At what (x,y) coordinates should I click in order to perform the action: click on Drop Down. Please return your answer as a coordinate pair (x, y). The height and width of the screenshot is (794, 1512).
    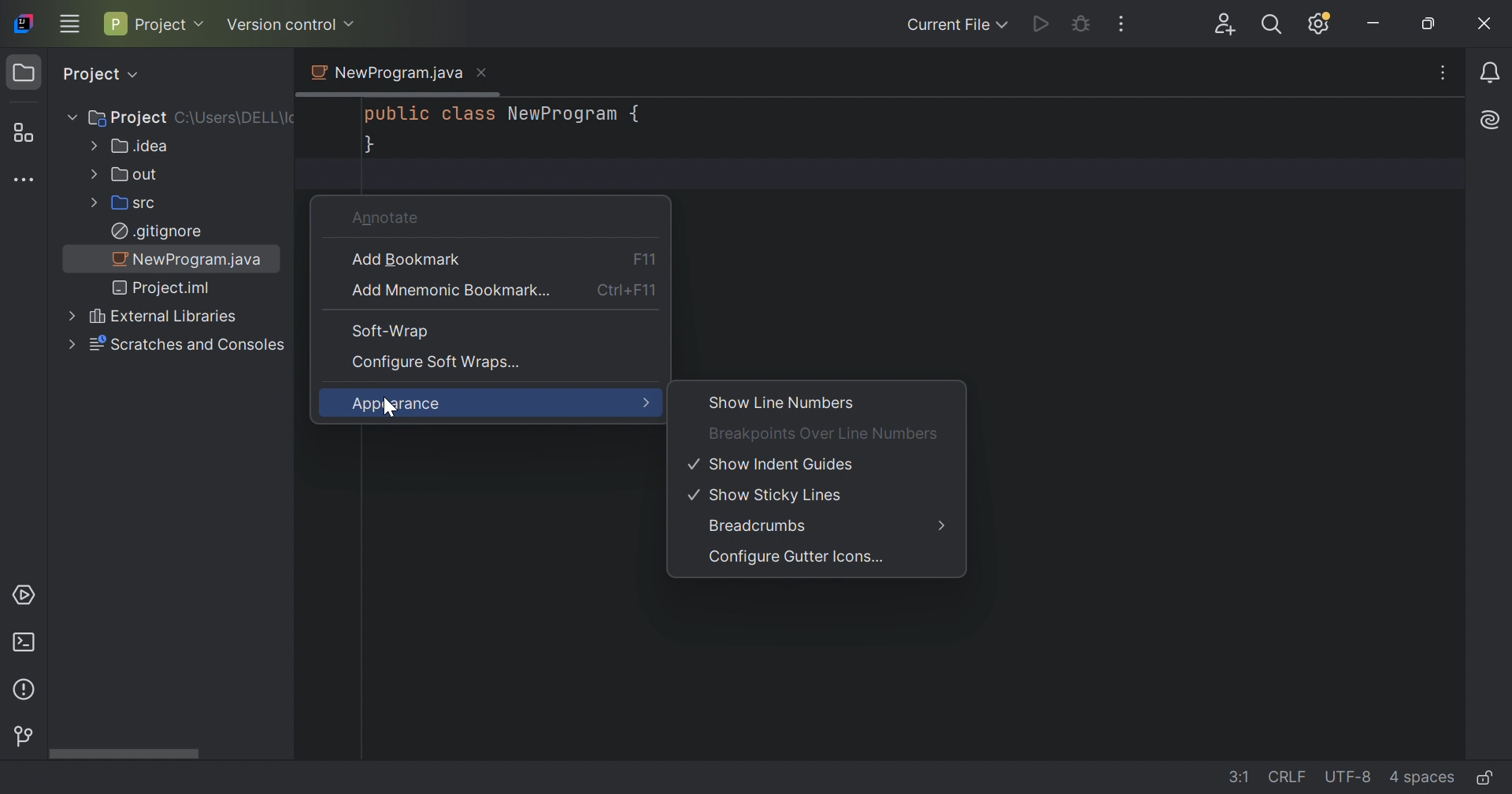
    Looking at the image, I should click on (93, 202).